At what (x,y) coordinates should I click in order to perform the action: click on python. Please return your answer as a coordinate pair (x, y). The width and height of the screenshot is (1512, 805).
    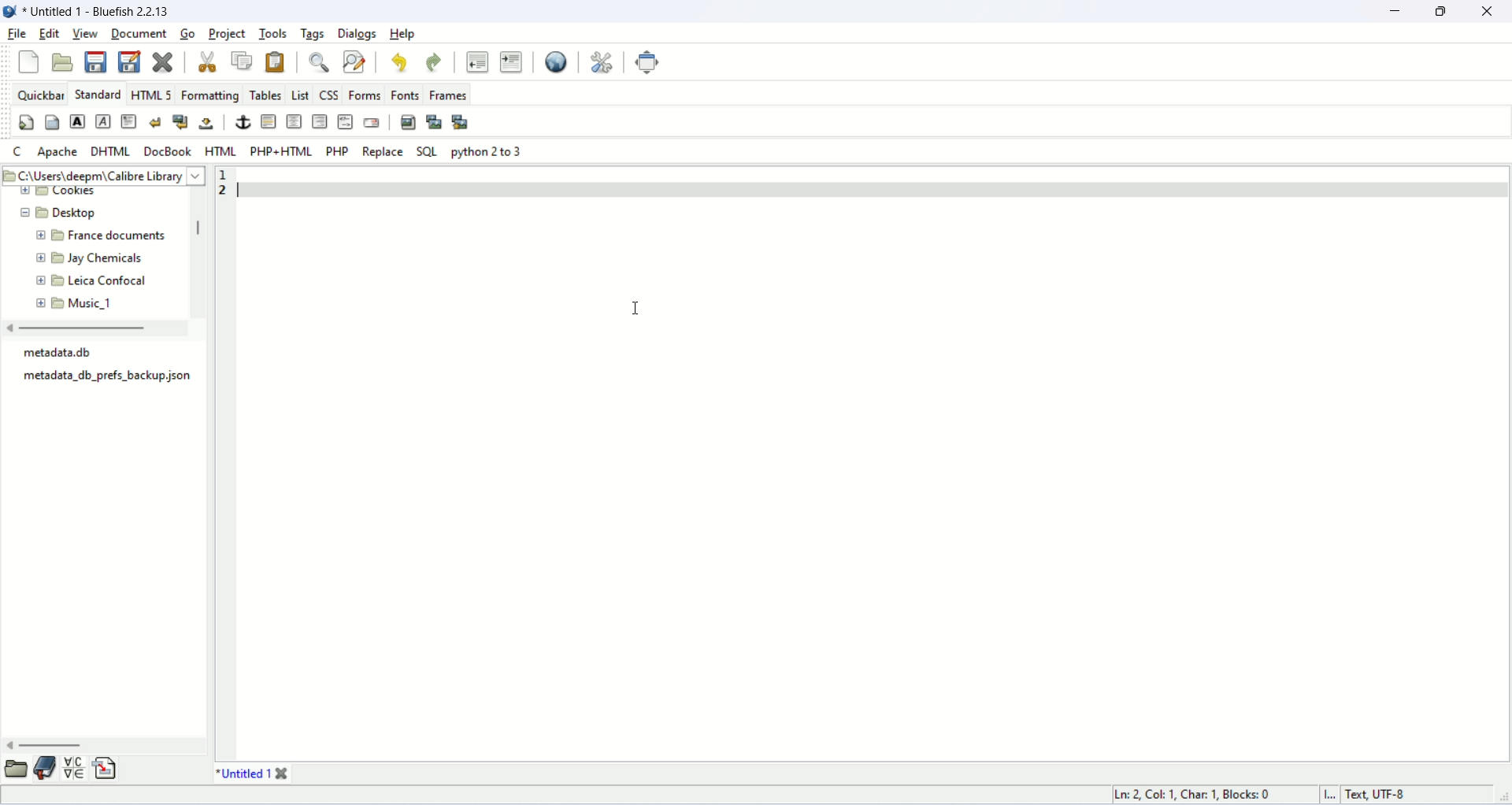
    Looking at the image, I should click on (485, 151).